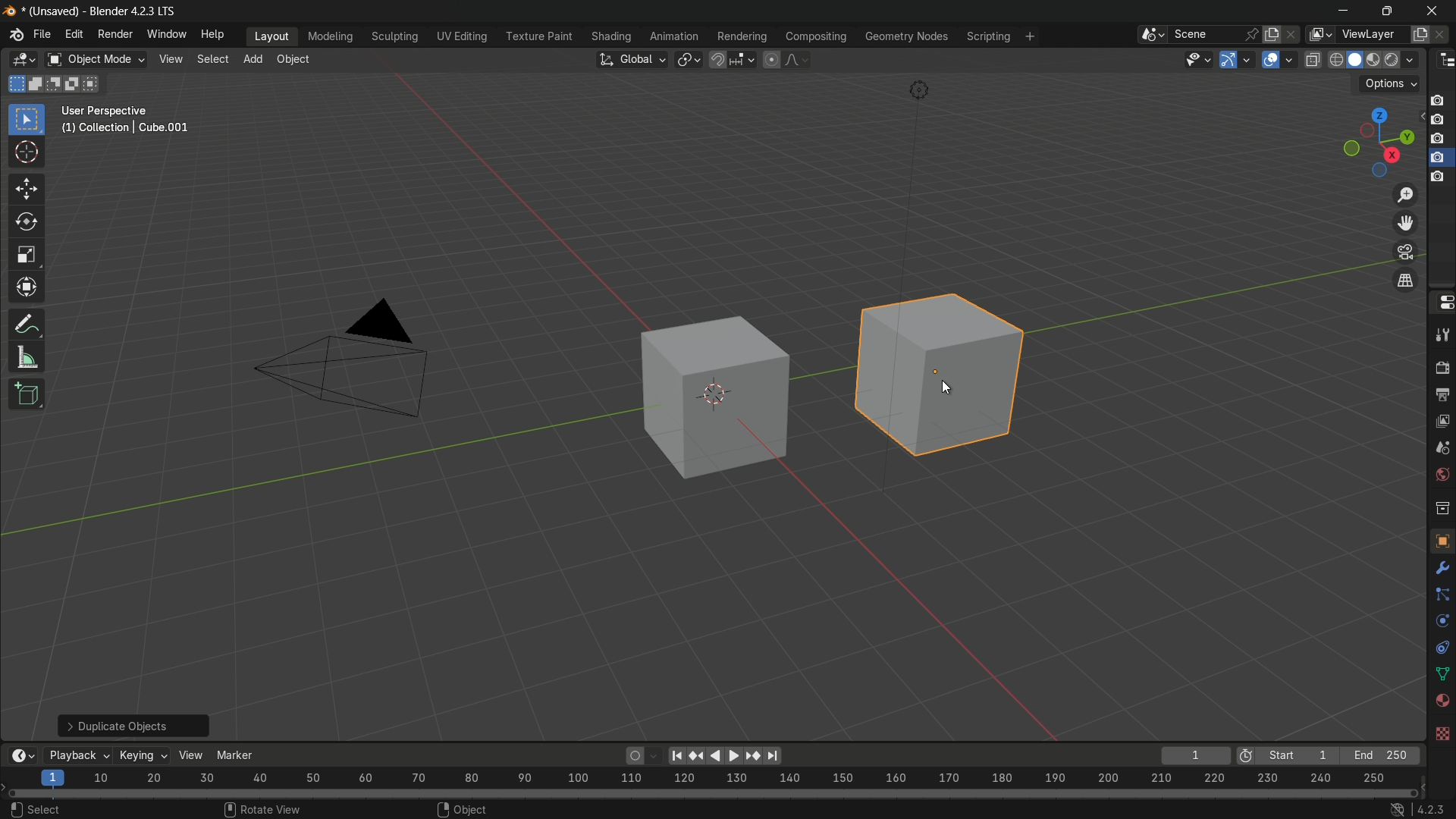 This screenshot has height=819, width=1456. I want to click on Cancel, so click(100, 808).